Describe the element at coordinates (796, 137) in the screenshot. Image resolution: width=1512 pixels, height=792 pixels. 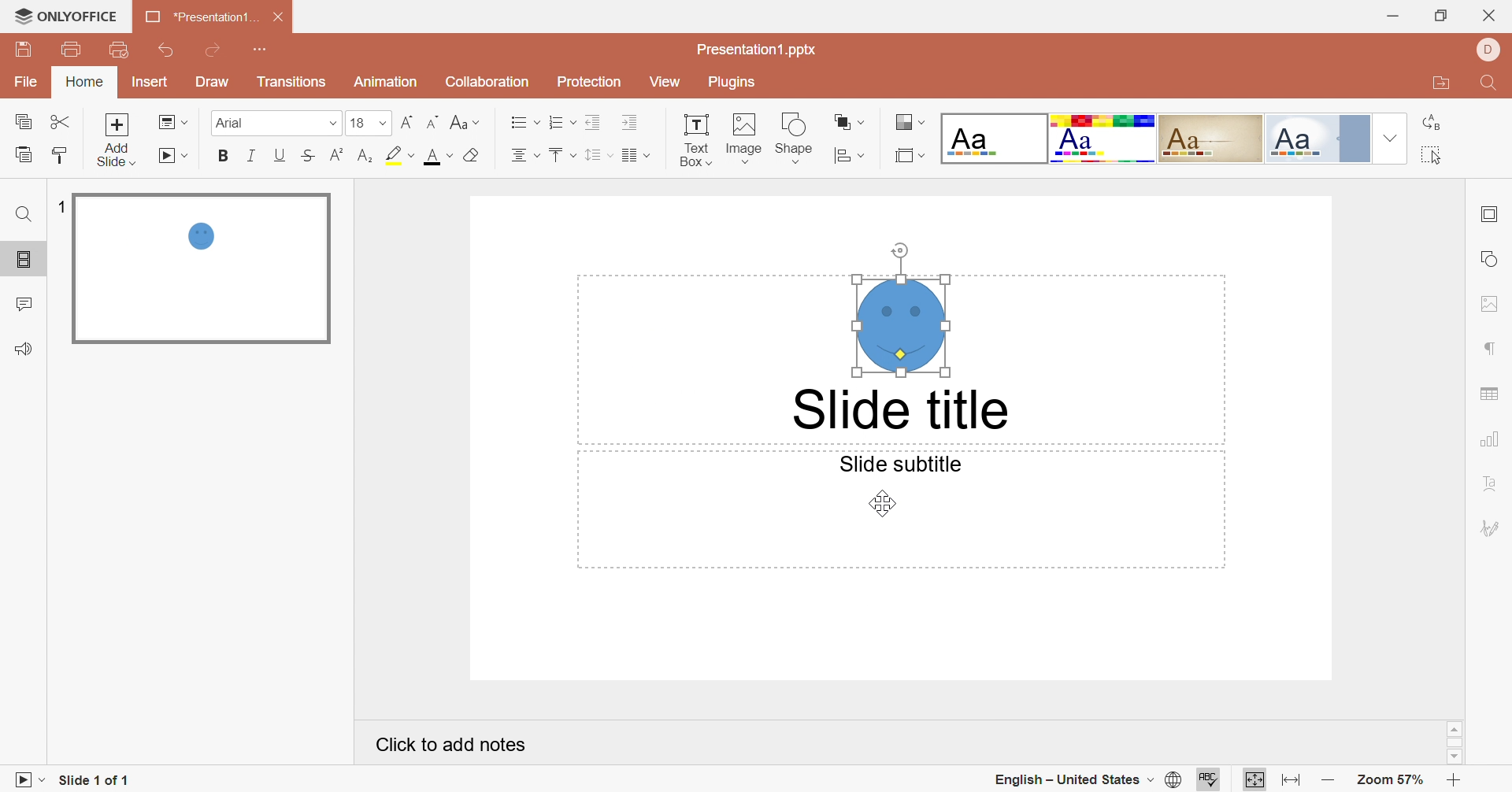
I see `Shape` at that location.